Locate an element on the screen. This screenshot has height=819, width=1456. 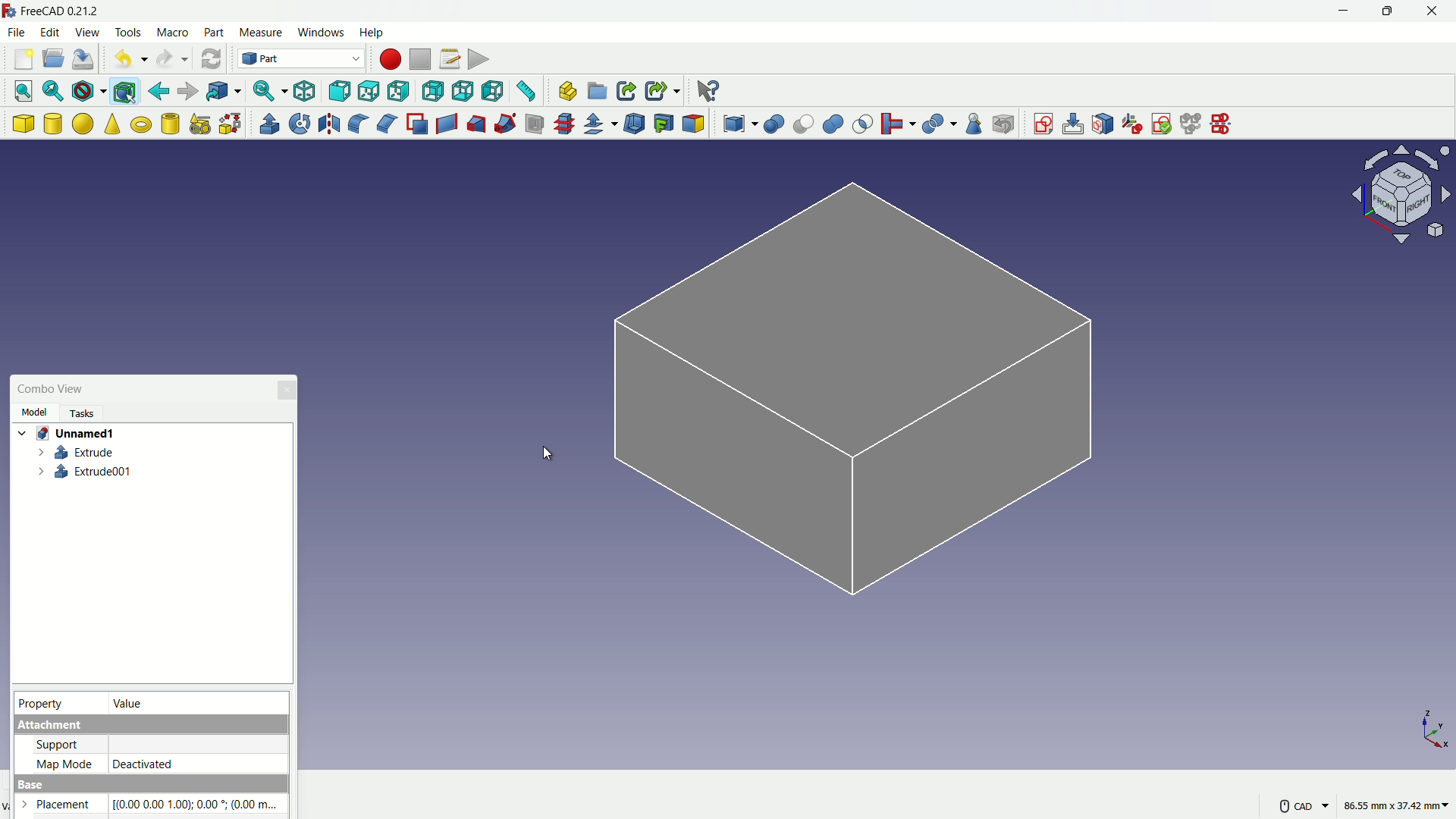
more settings is located at coordinates (1304, 805).